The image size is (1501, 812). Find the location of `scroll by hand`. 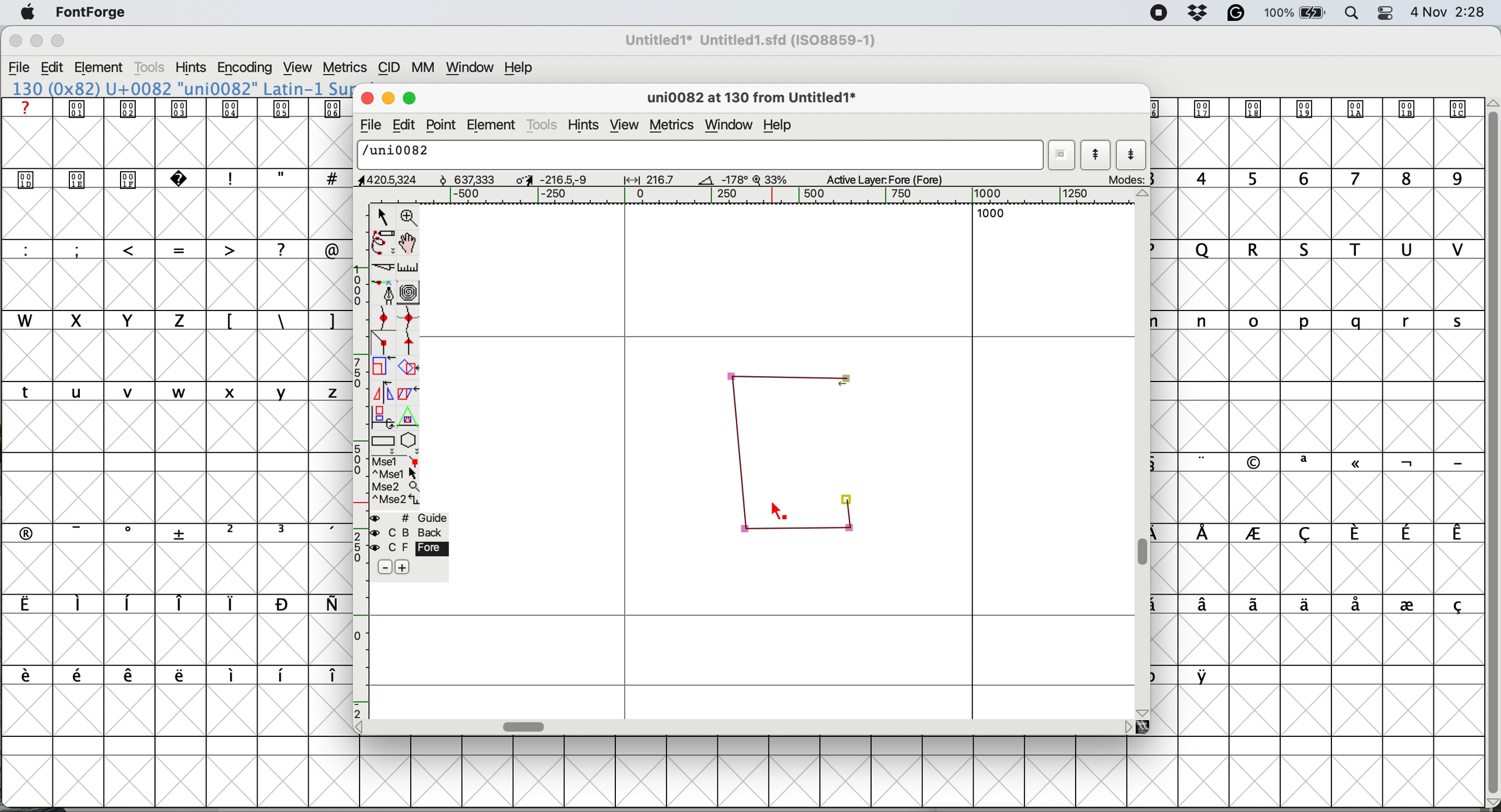

scroll by hand is located at coordinates (410, 243).